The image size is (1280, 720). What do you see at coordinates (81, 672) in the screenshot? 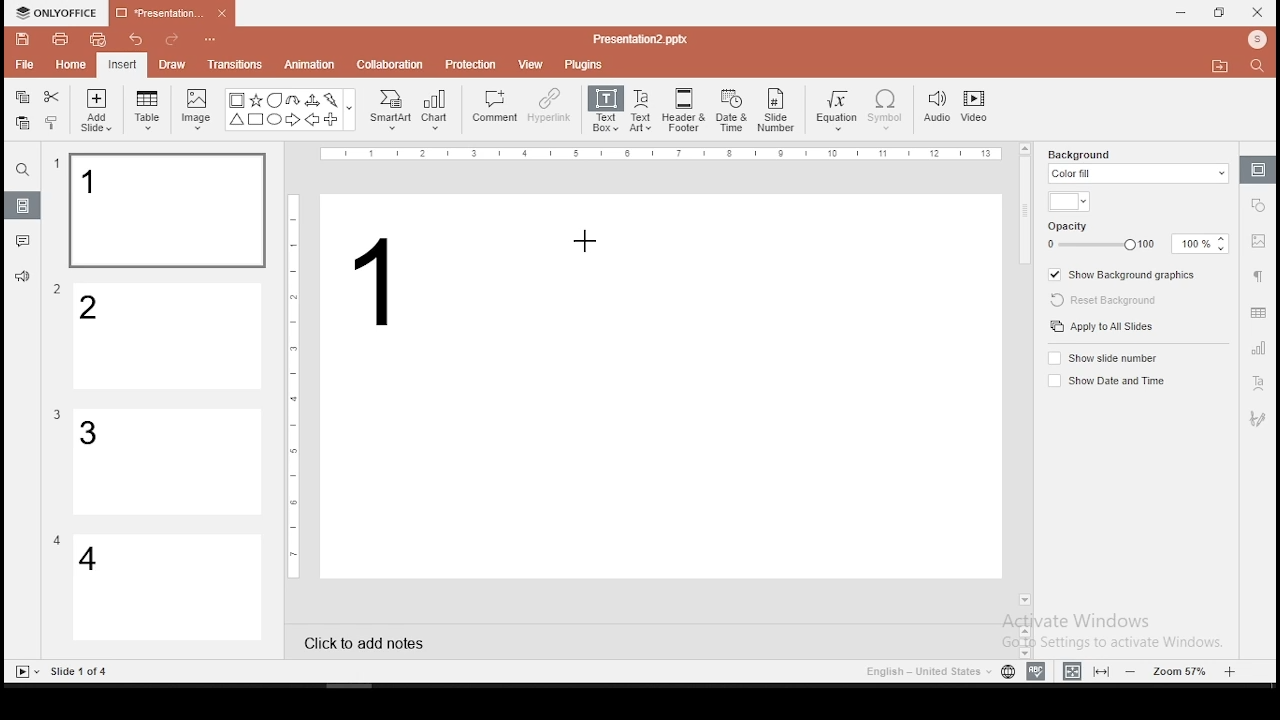
I see `` at bounding box center [81, 672].